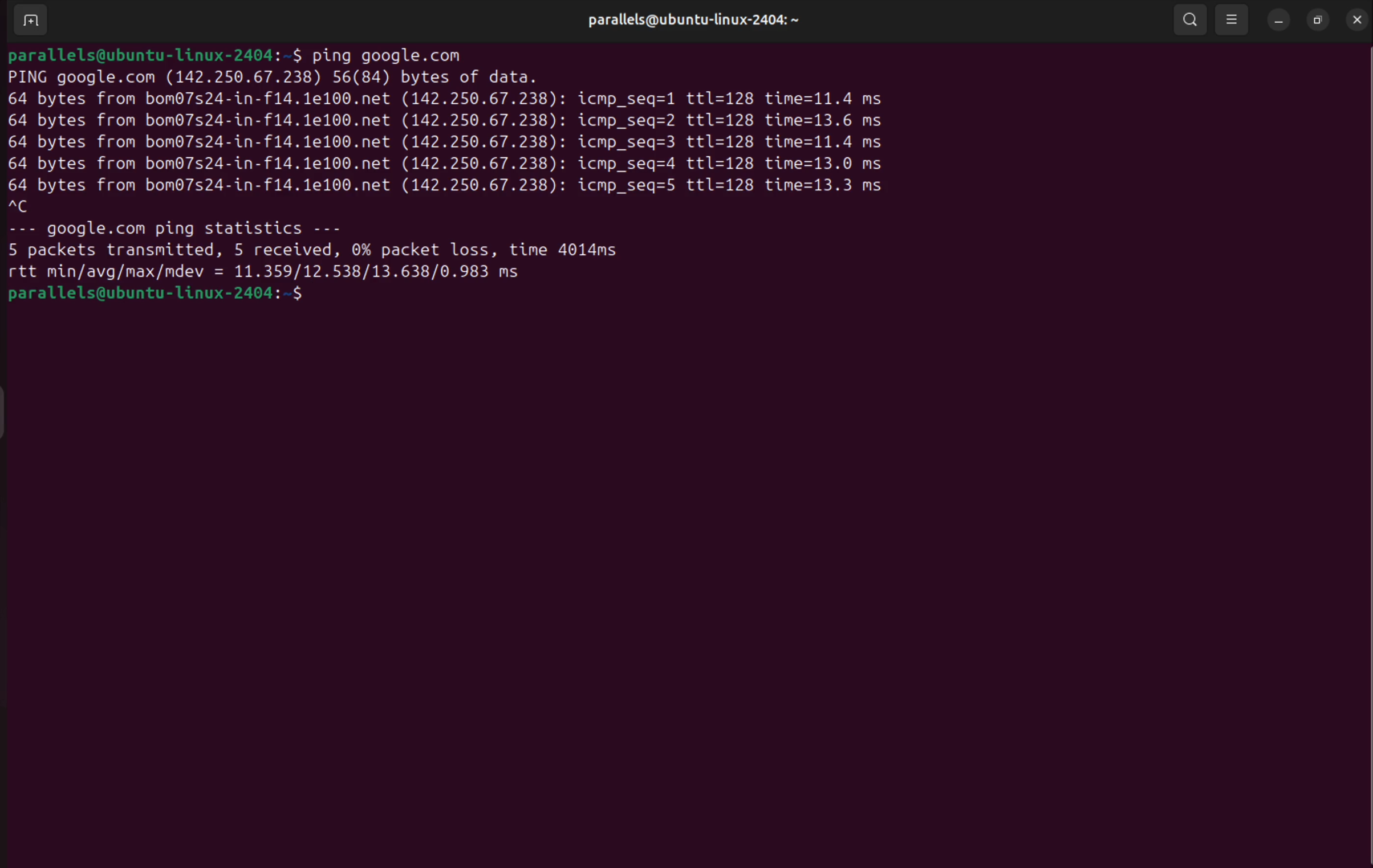 The width and height of the screenshot is (1373, 868). I want to click on 5 packets transmitted, so click(115, 252).